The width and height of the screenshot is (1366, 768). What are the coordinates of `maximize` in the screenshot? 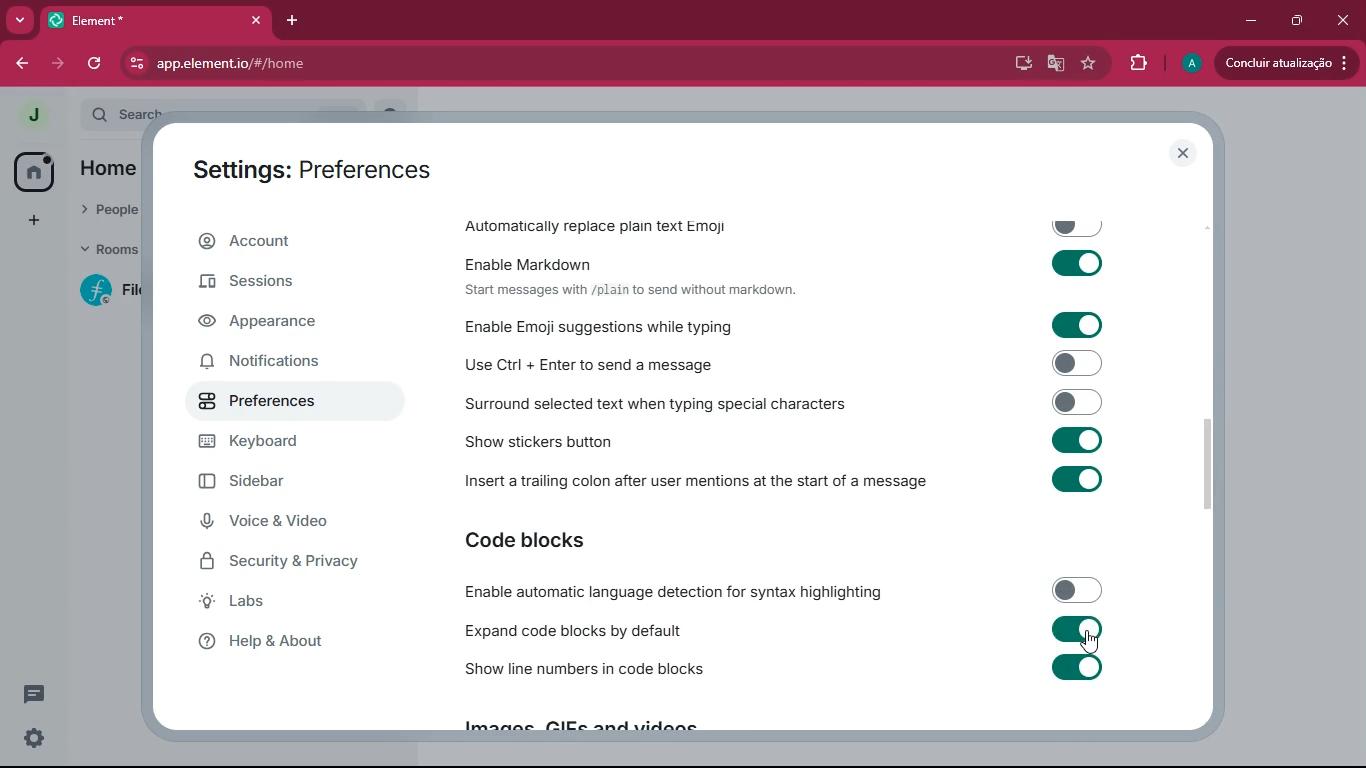 It's located at (1293, 22).